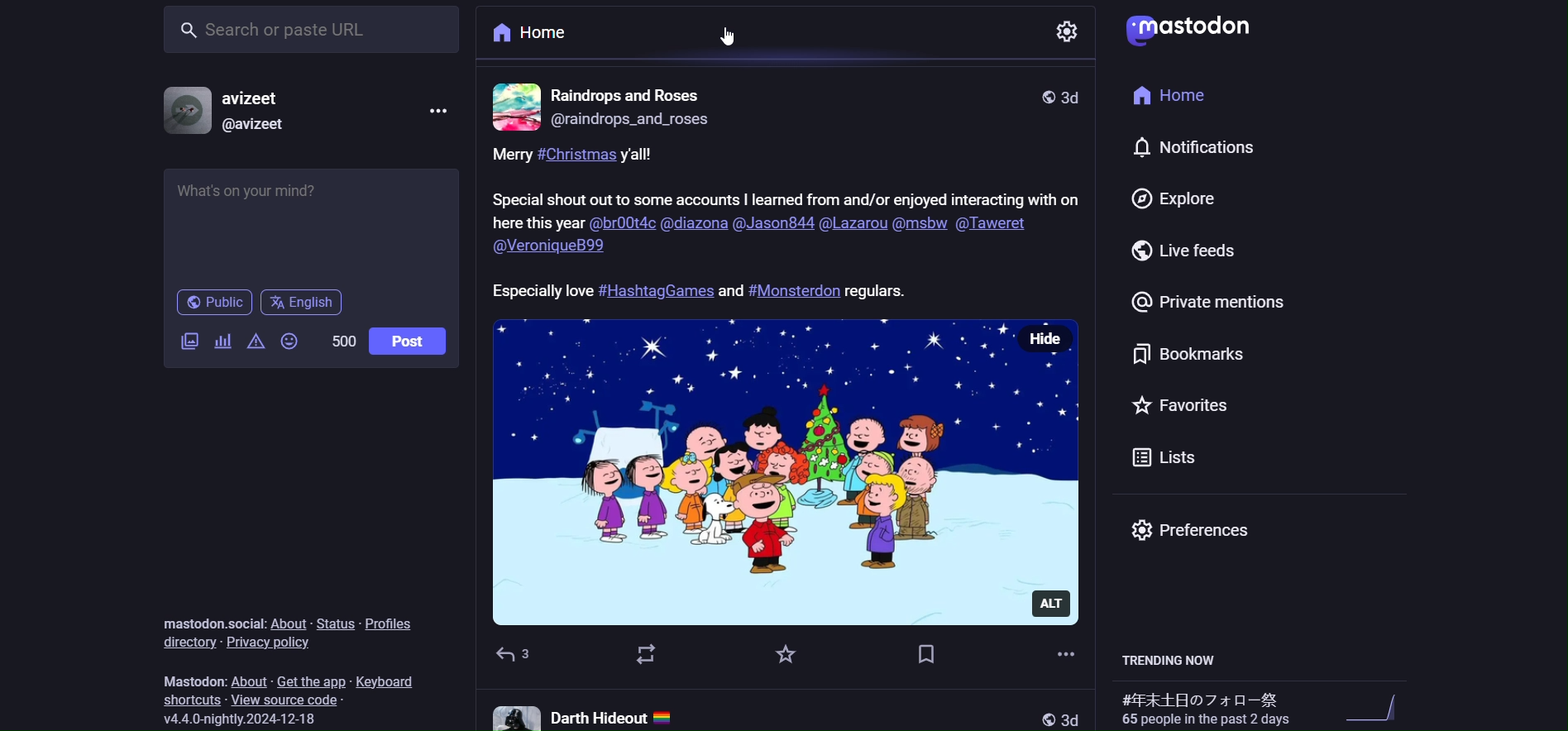 The width and height of the screenshot is (1568, 731). What do you see at coordinates (1079, 98) in the screenshot?
I see `last modified` at bounding box center [1079, 98].